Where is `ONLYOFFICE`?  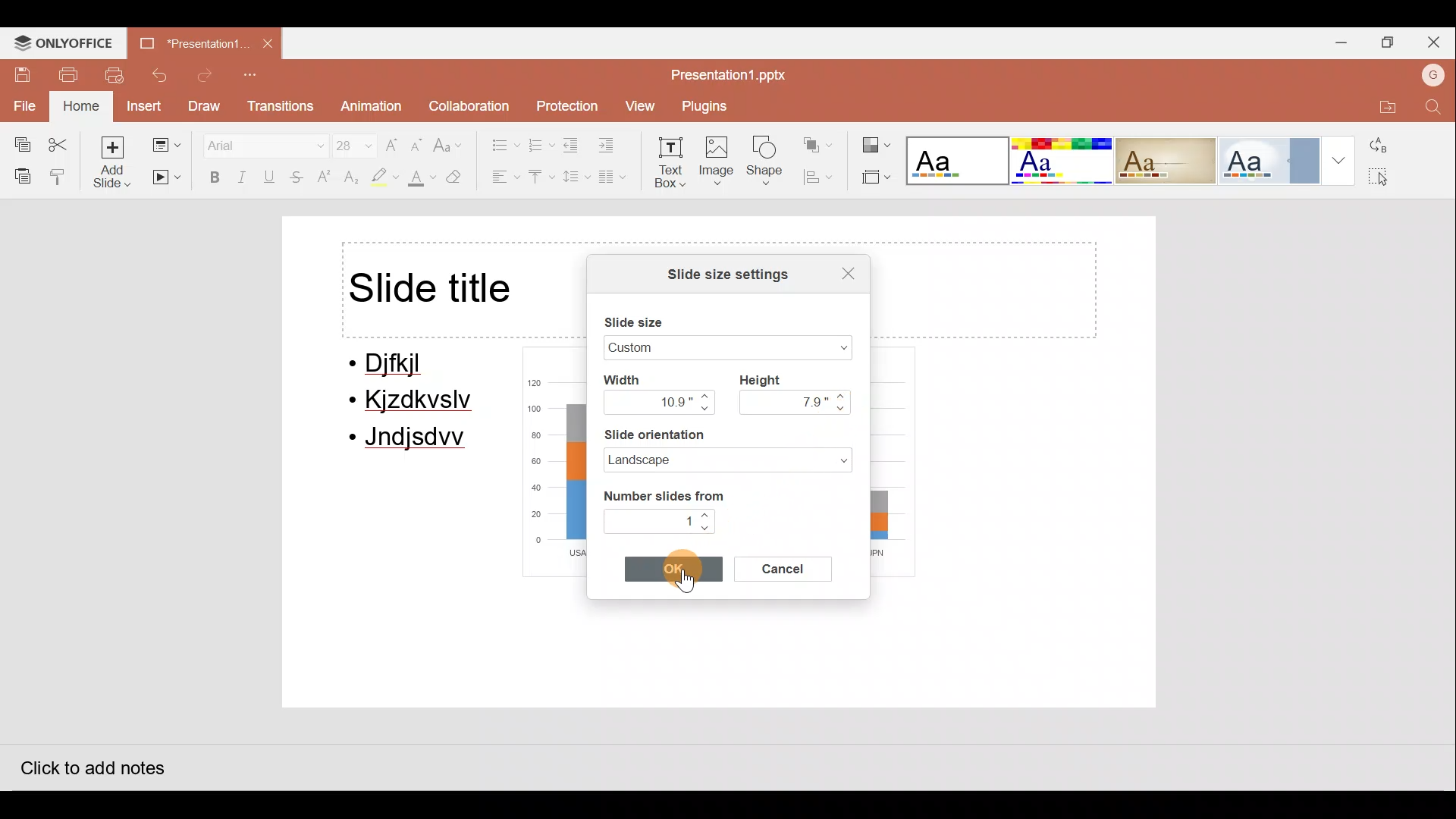 ONLYOFFICE is located at coordinates (65, 42).